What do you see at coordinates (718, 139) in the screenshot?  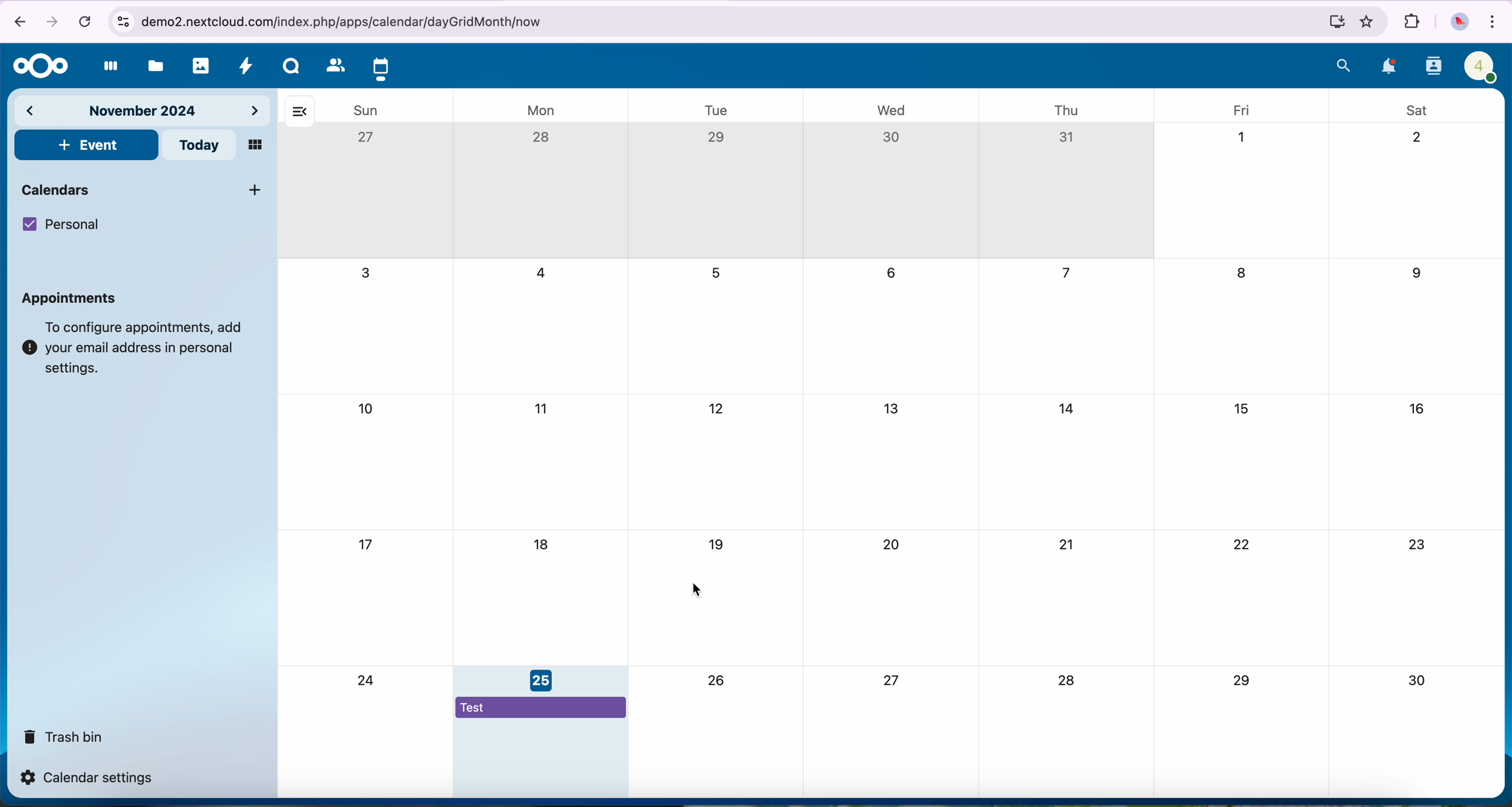 I see `29` at bounding box center [718, 139].